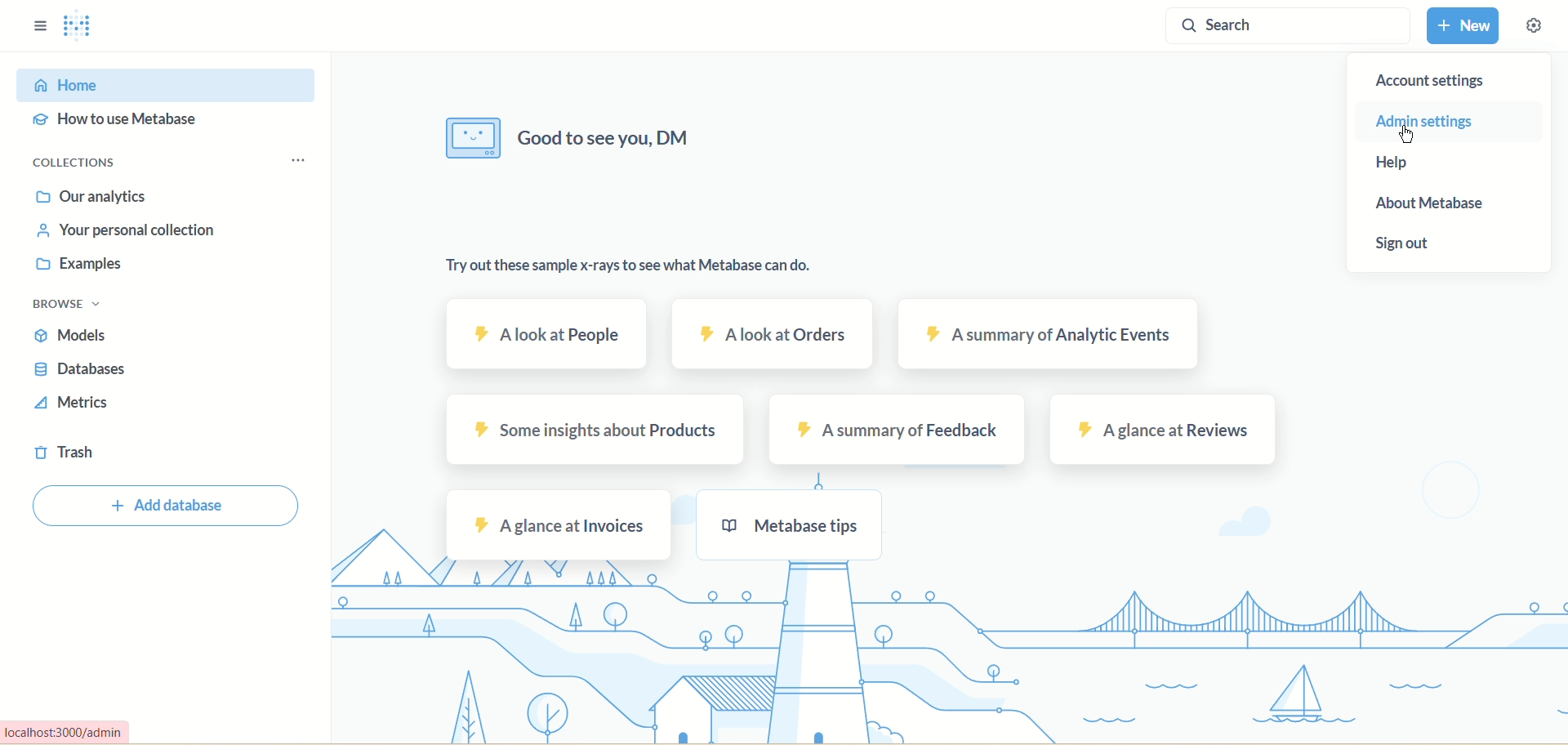 This screenshot has height=745, width=1568. Describe the element at coordinates (1388, 165) in the screenshot. I see `help` at that location.